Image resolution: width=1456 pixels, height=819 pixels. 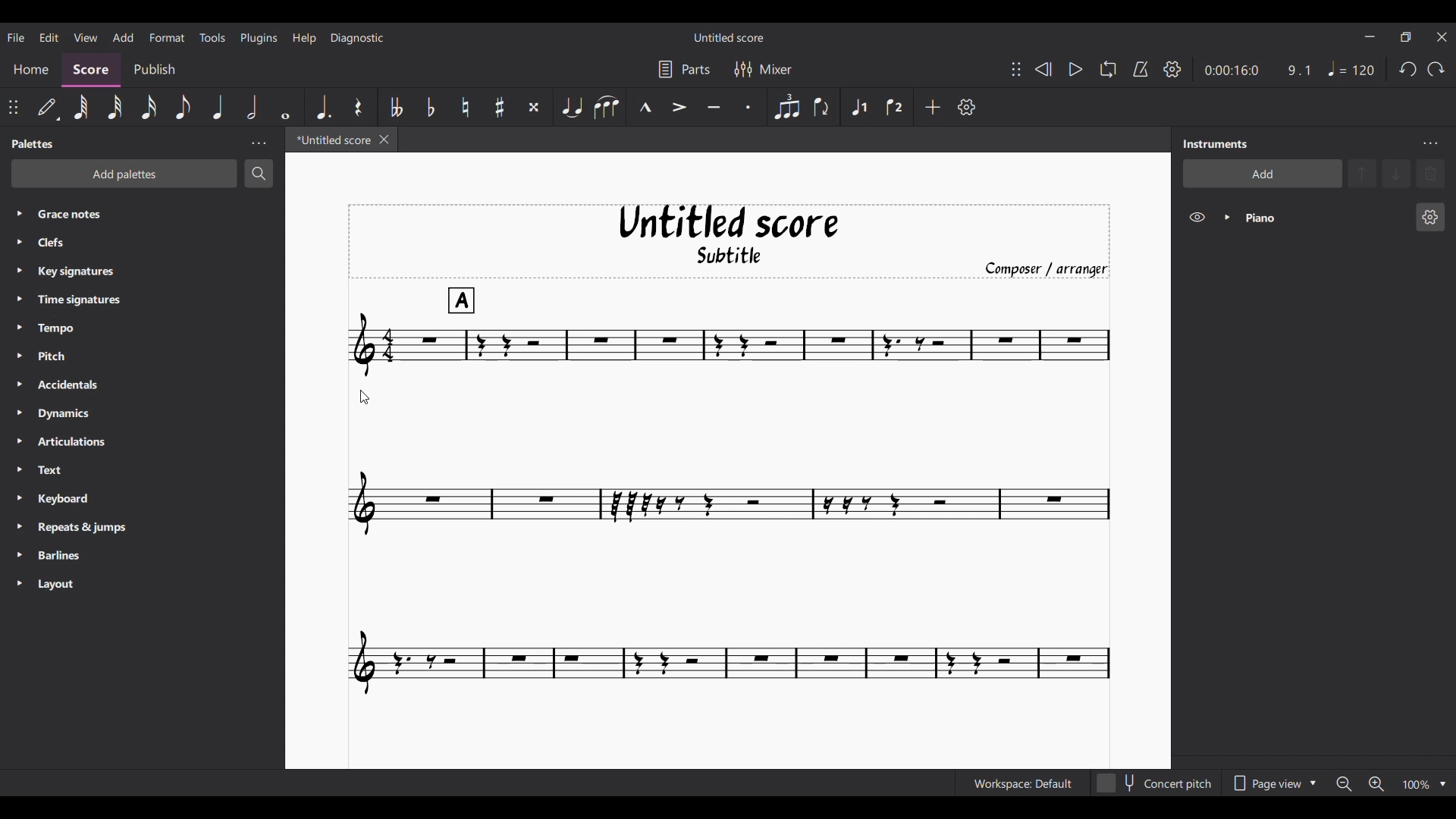 What do you see at coordinates (84, 36) in the screenshot?
I see `View menu` at bounding box center [84, 36].